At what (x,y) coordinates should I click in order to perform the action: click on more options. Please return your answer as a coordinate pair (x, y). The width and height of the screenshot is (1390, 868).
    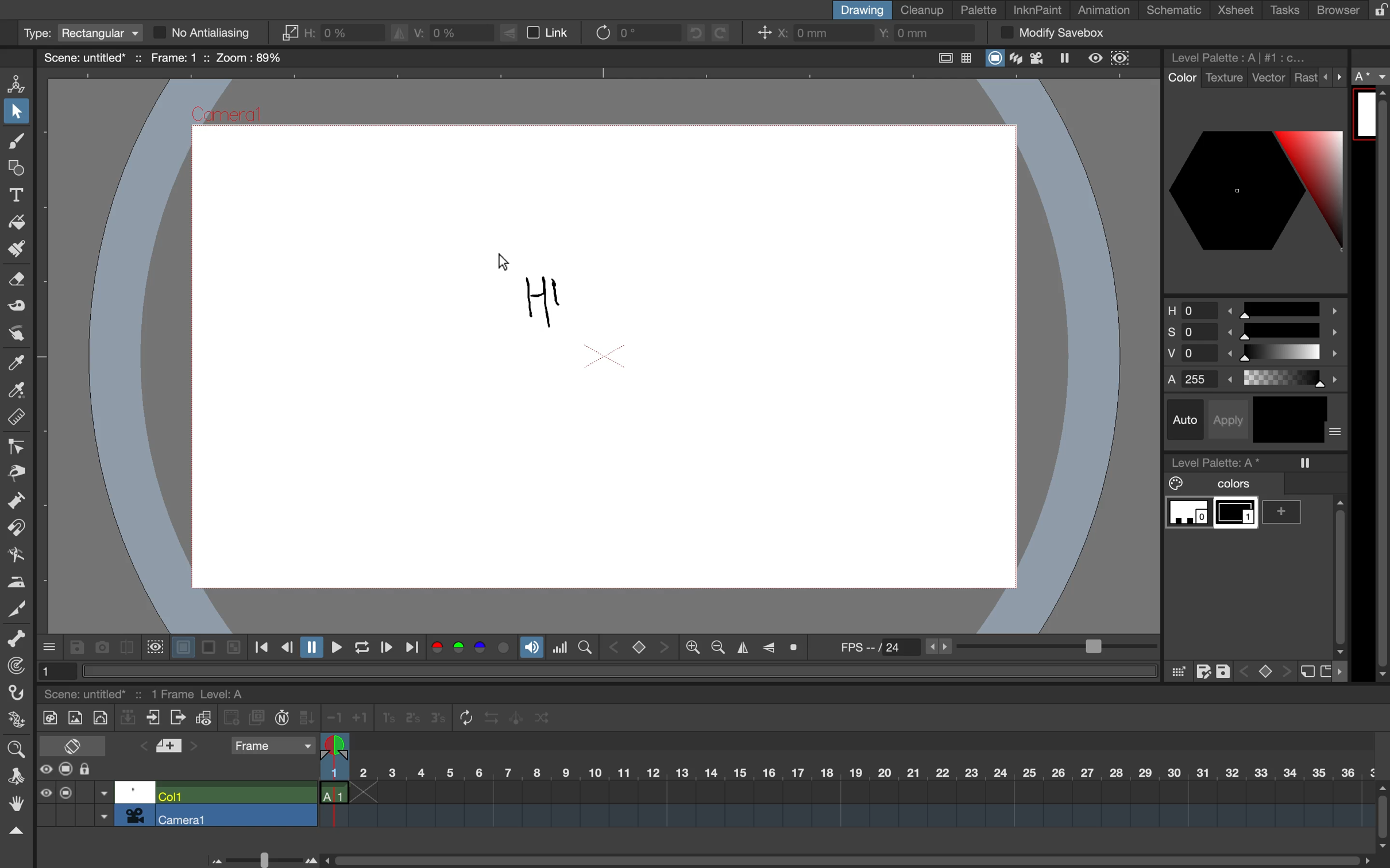
    Looking at the image, I should click on (1344, 672).